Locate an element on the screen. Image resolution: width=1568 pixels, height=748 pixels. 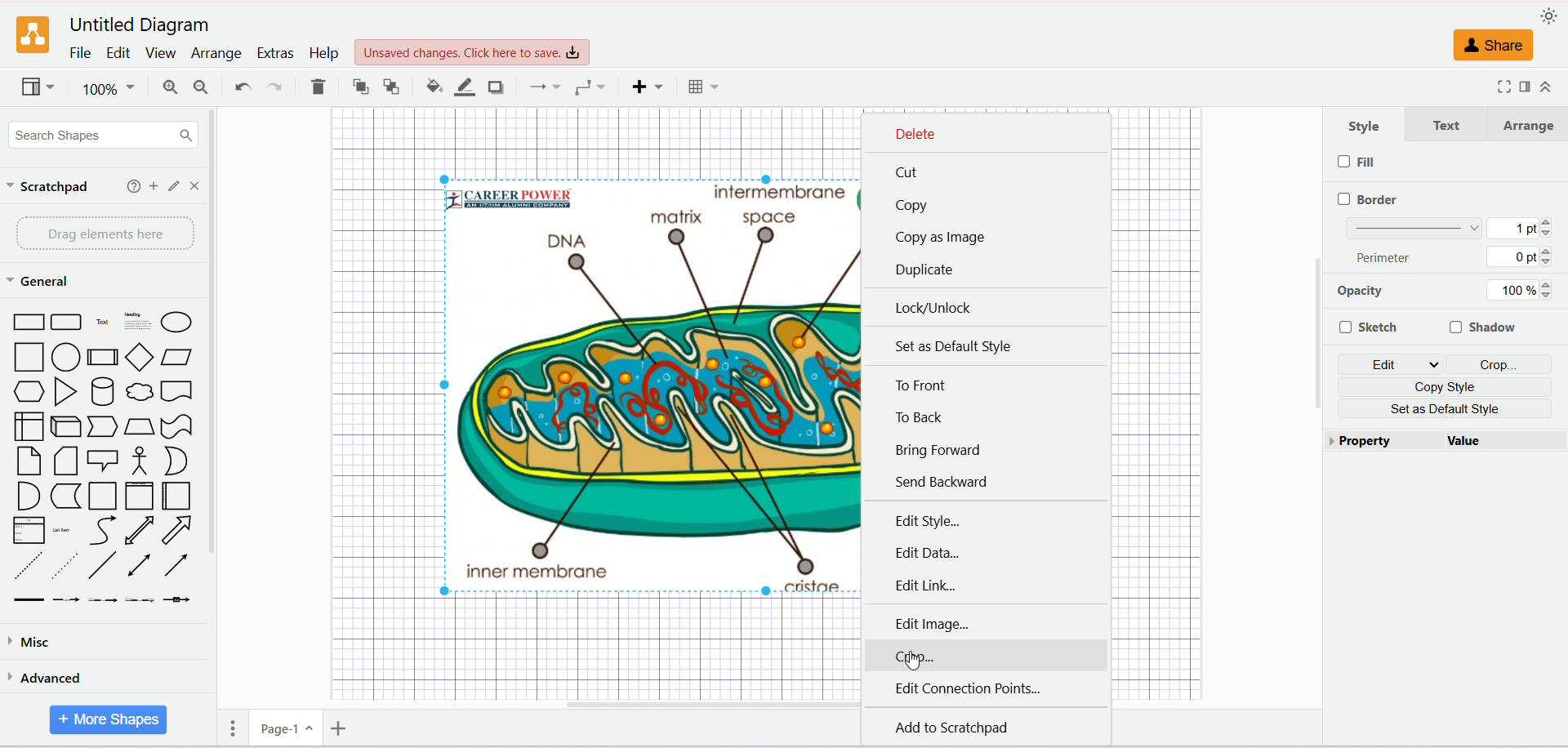
extras is located at coordinates (278, 52).